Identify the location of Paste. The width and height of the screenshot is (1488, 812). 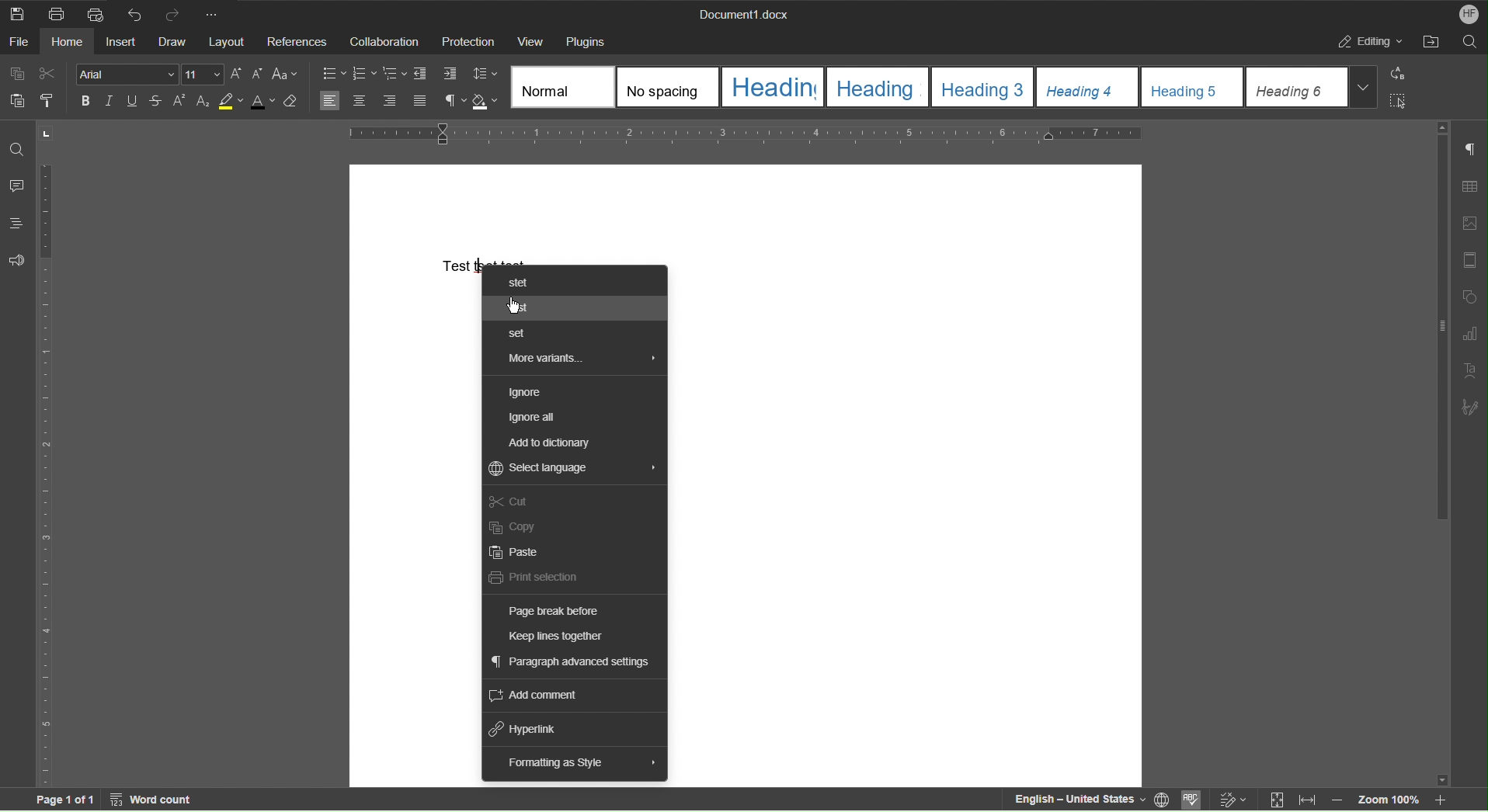
(14, 99).